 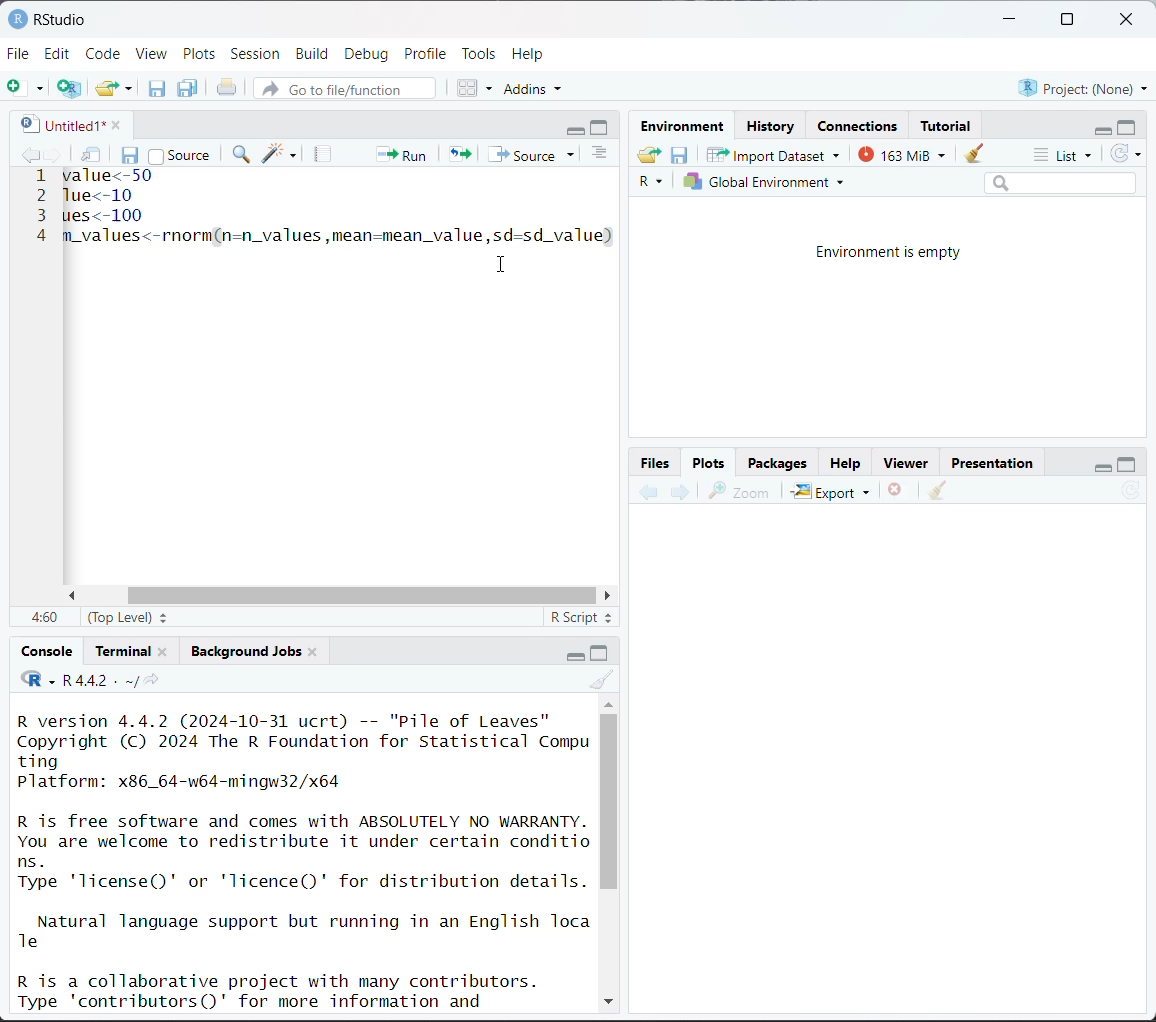 What do you see at coordinates (256, 55) in the screenshot?
I see `Session` at bounding box center [256, 55].